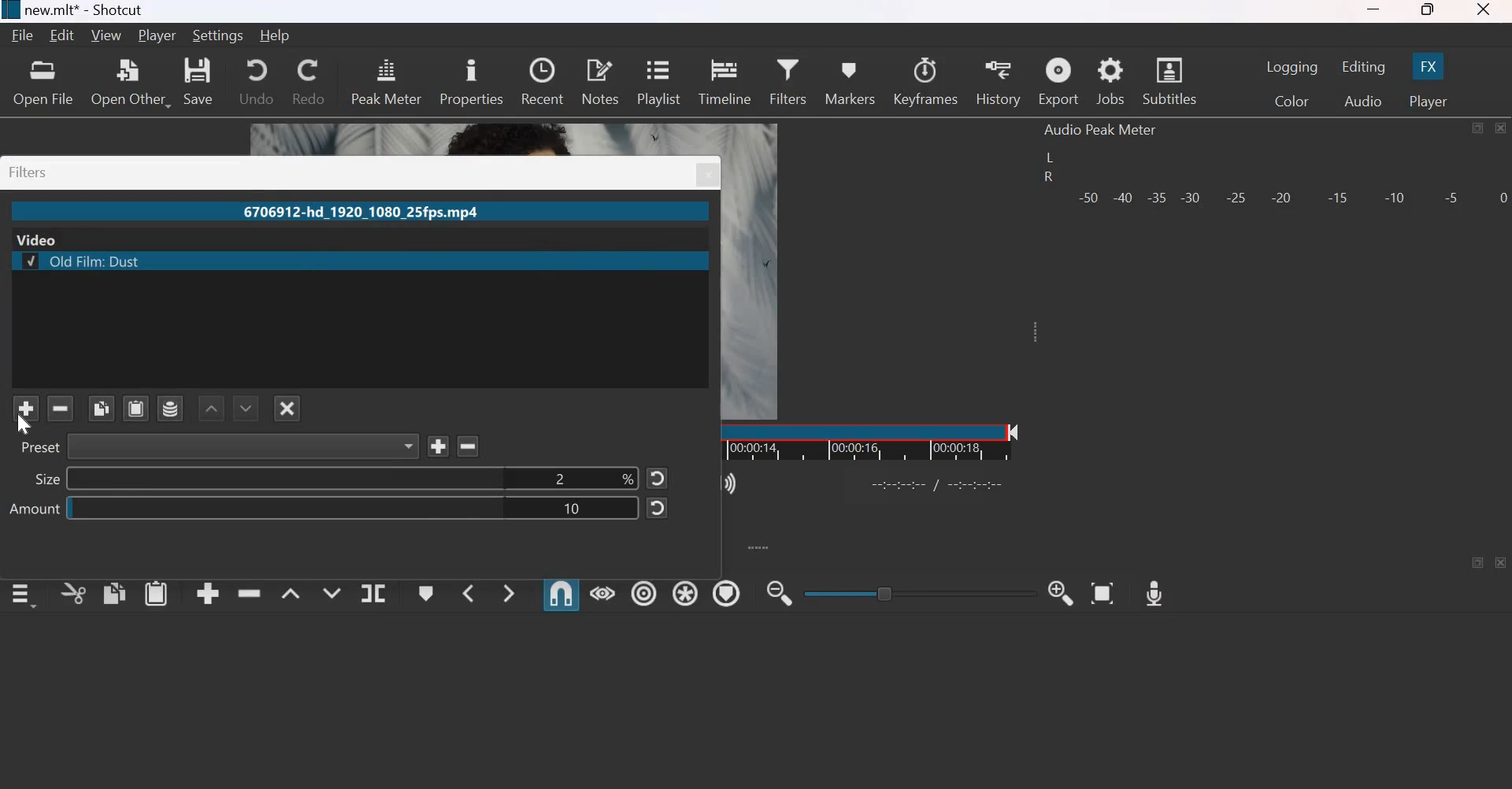 This screenshot has width=1512, height=789. Describe the element at coordinates (1103, 130) in the screenshot. I see `Audio Peak Meter` at that location.